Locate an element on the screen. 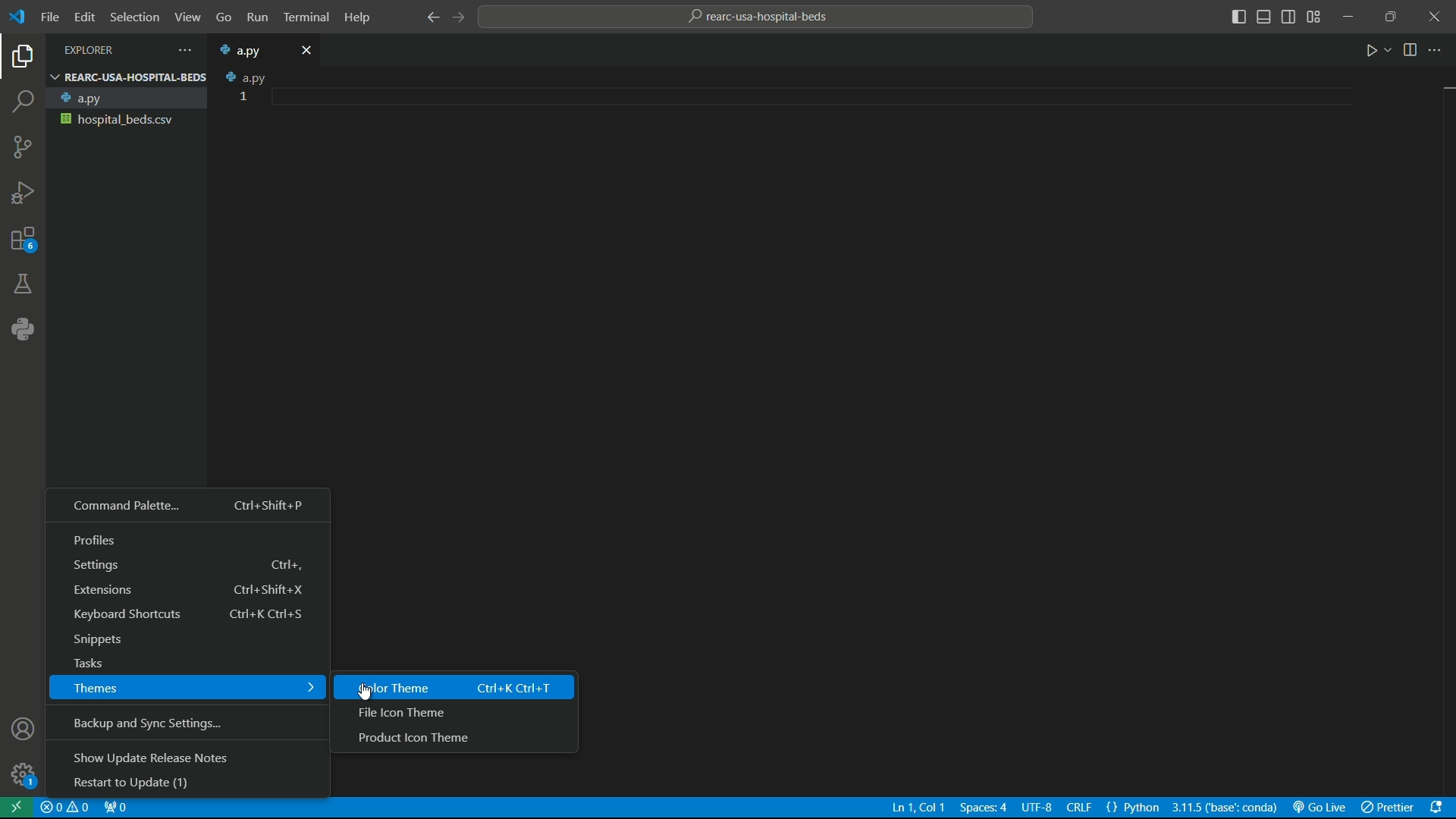 The width and height of the screenshot is (1456, 819). open a remote window is located at coordinates (17, 808).